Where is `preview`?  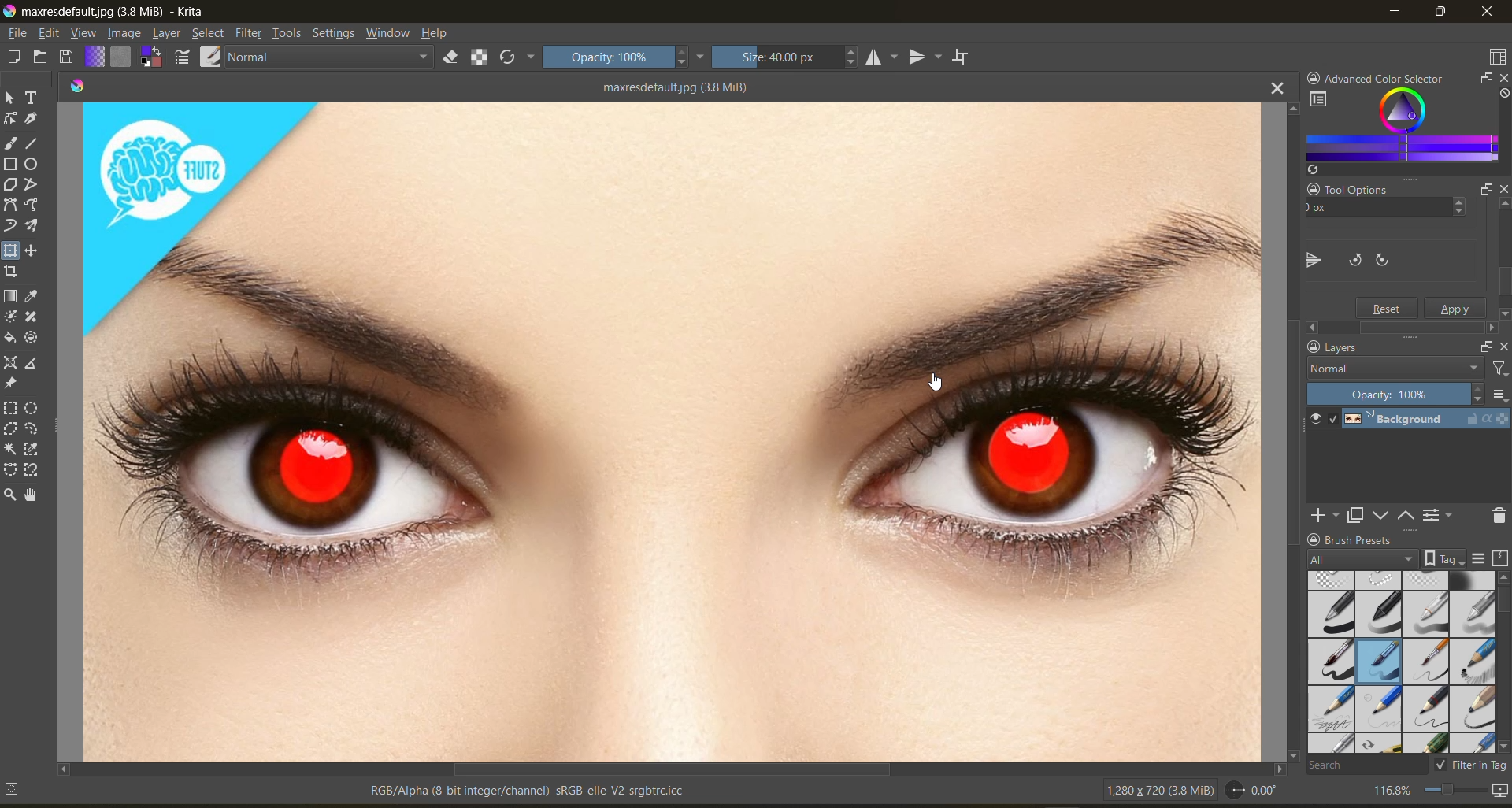
preview is located at coordinates (1317, 421).